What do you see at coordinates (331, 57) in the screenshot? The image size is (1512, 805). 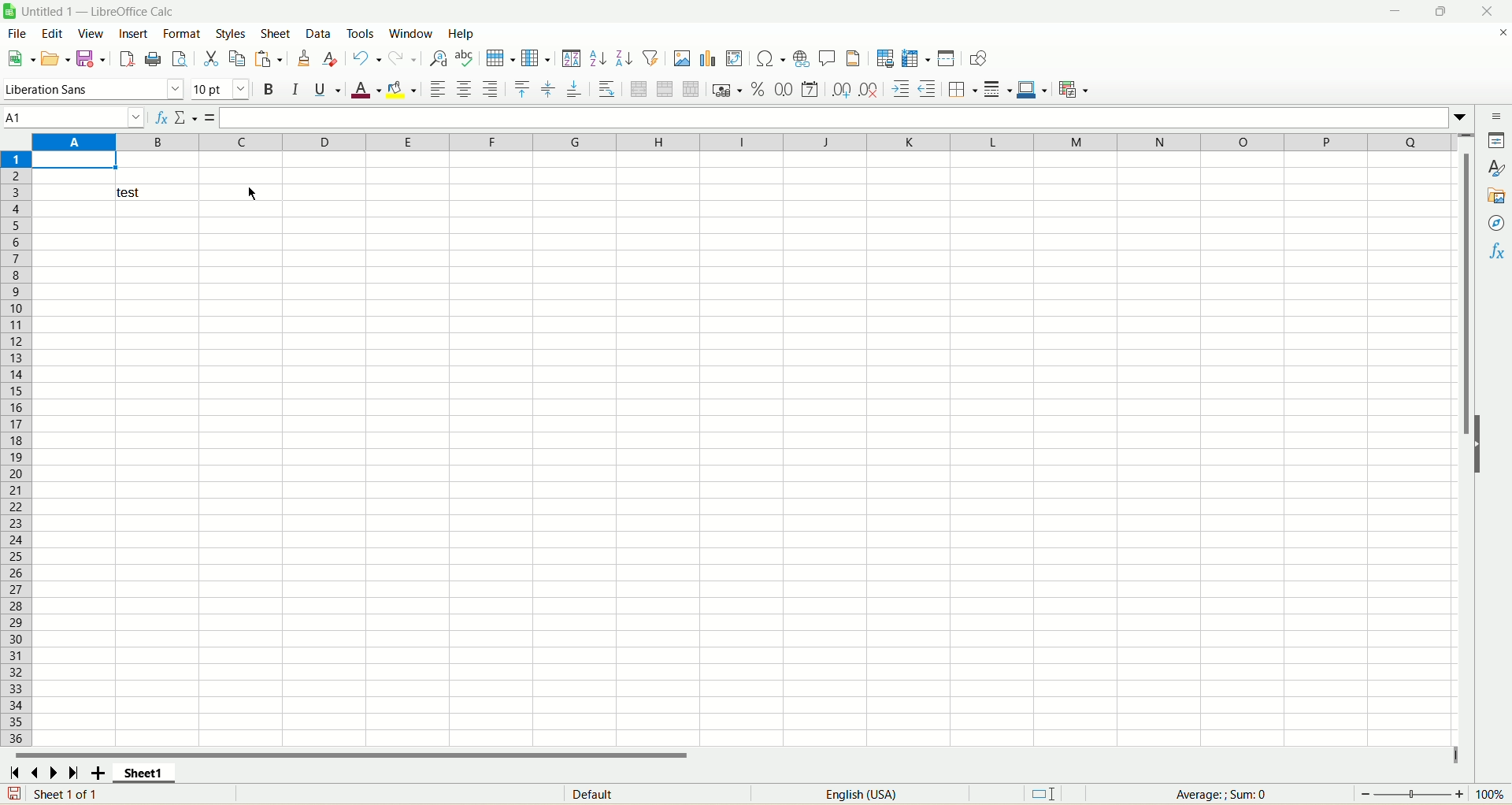 I see `clear formatting` at bounding box center [331, 57].